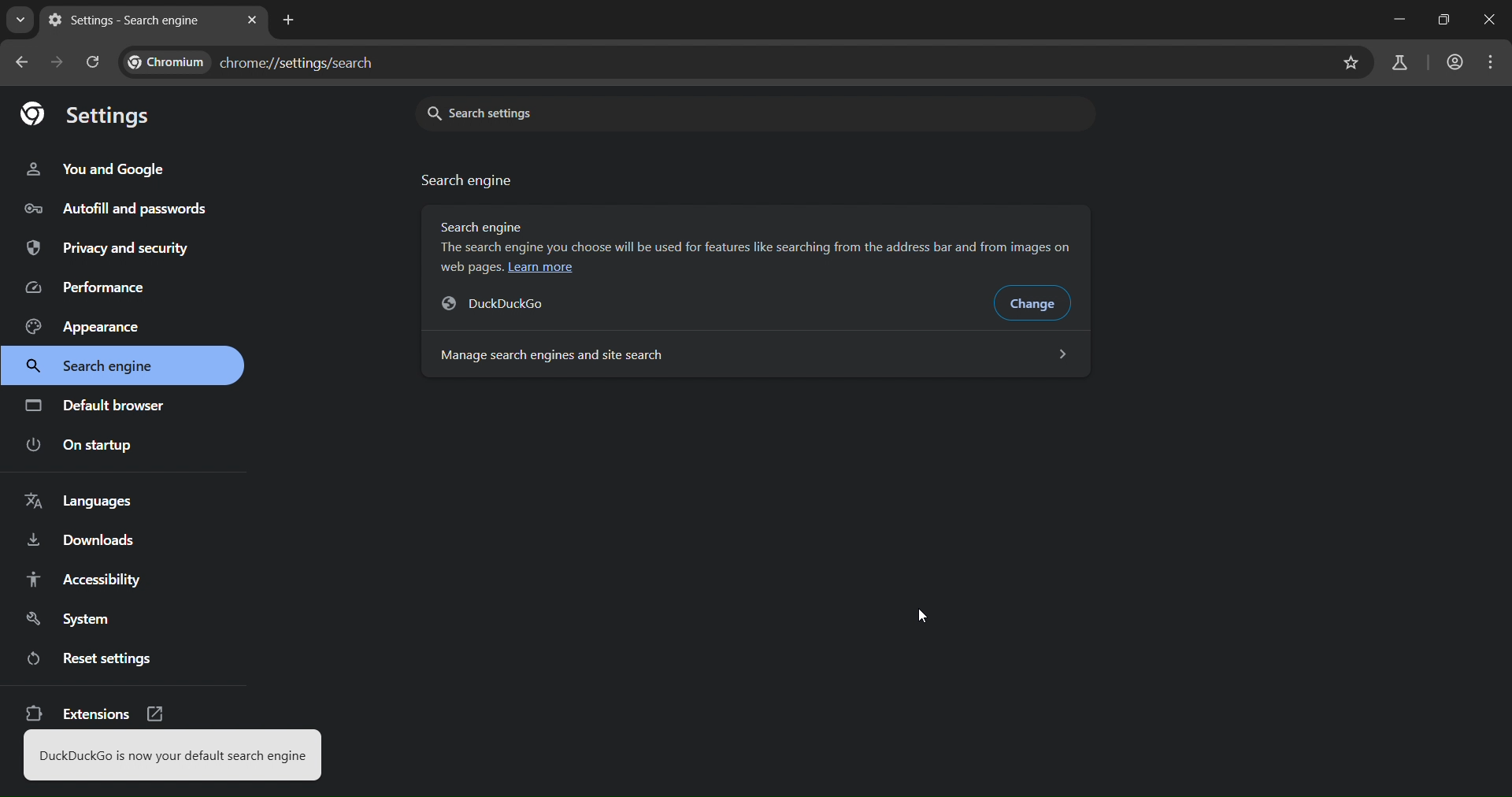 This screenshot has width=1512, height=797. I want to click on Duckduckgo is now set as default engine, so click(171, 757).